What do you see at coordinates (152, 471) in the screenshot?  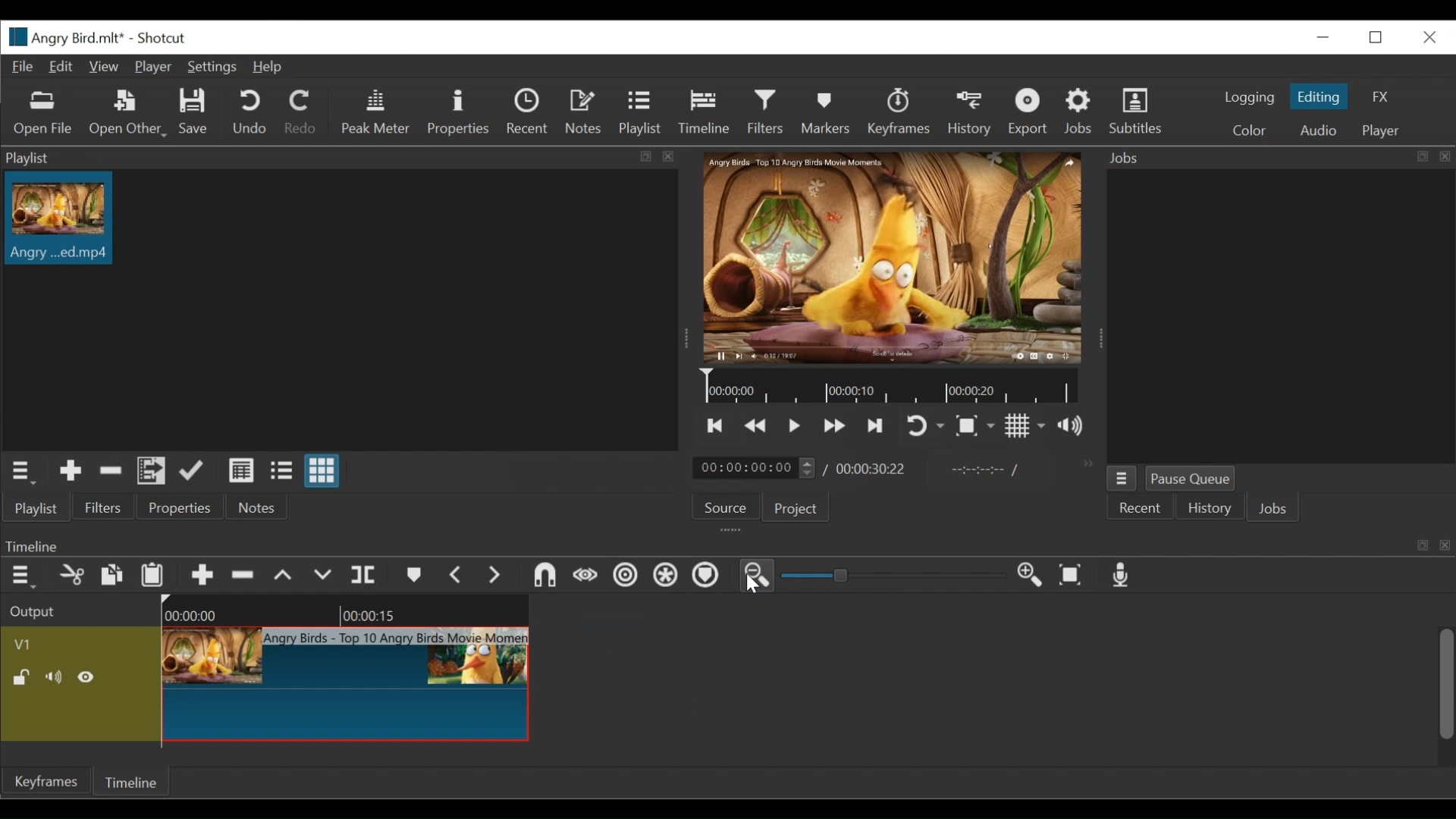 I see `Add files to the playlist` at bounding box center [152, 471].